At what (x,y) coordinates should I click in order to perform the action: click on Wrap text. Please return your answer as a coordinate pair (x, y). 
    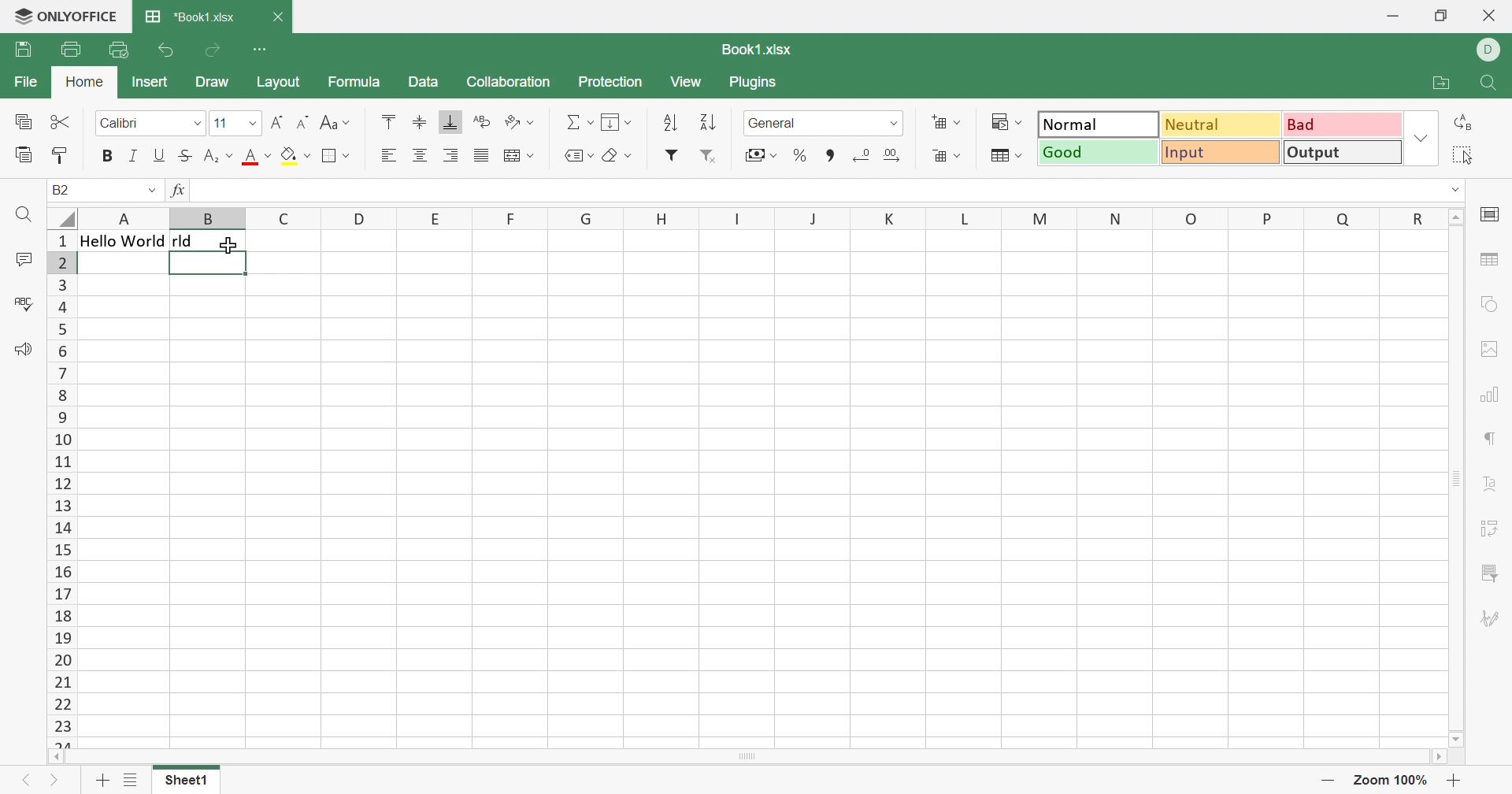
    Looking at the image, I should click on (480, 123).